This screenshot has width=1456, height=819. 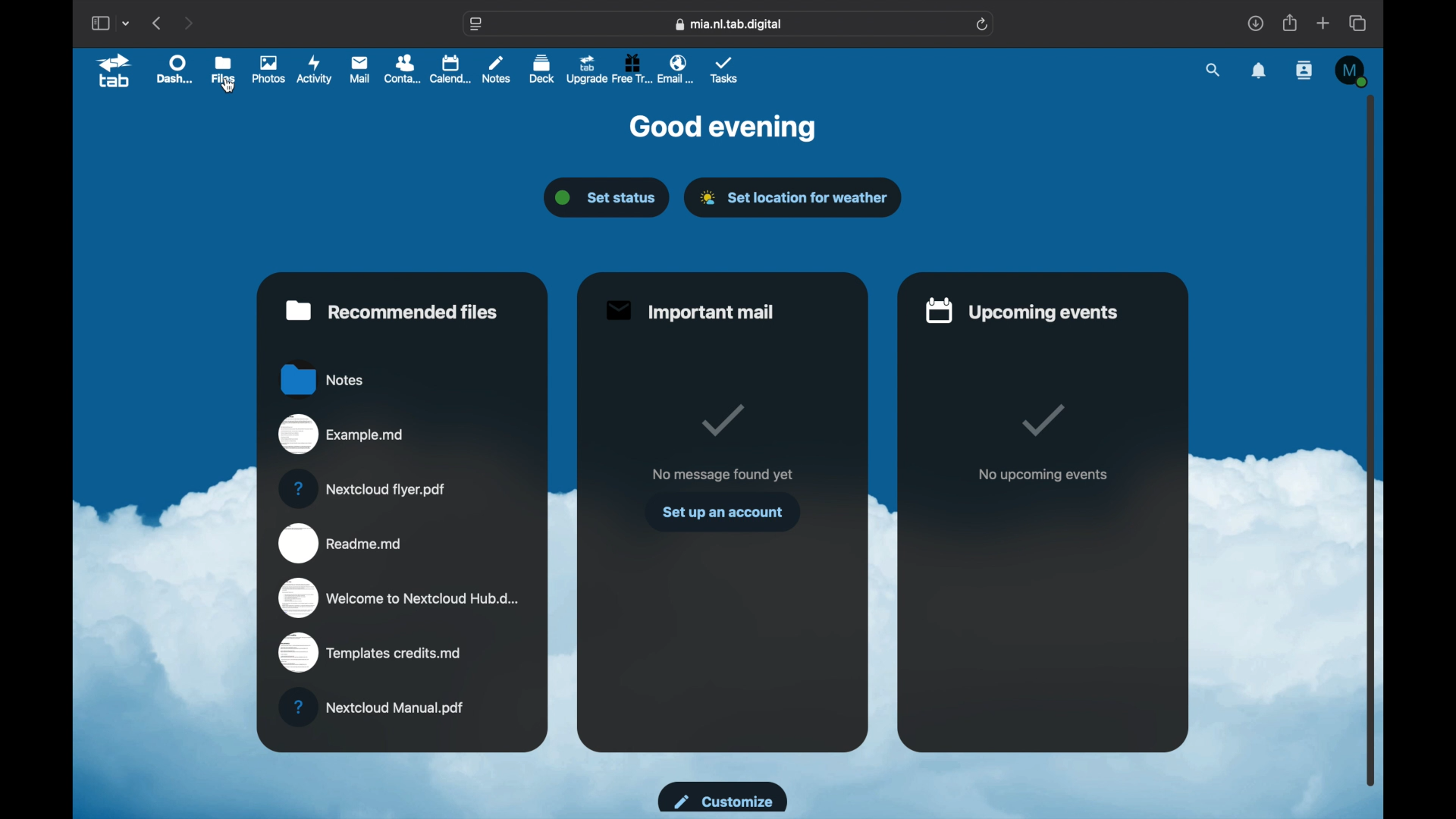 What do you see at coordinates (360, 488) in the screenshot?
I see `nextcloud flyer` at bounding box center [360, 488].